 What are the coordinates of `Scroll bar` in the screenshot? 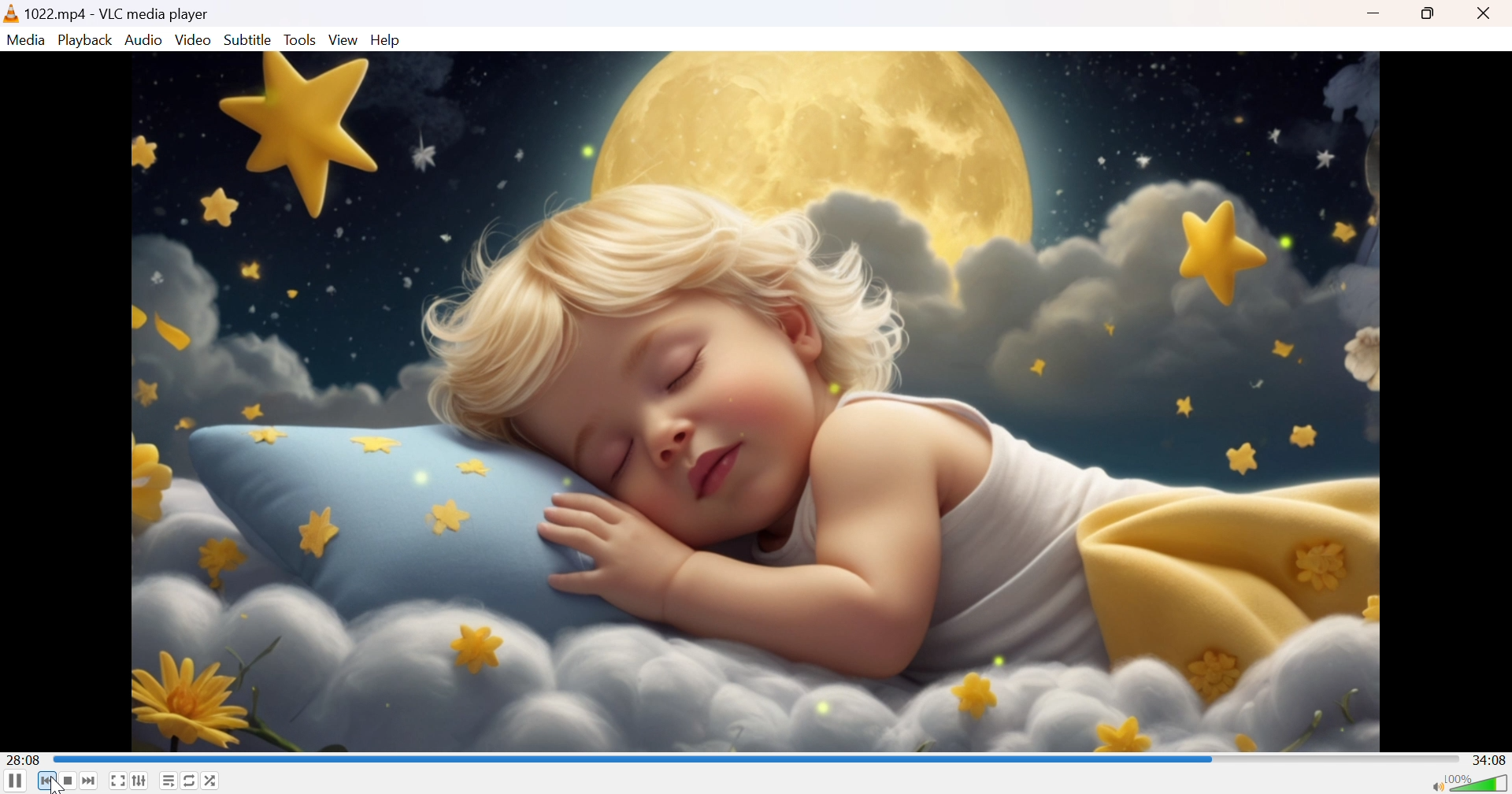 It's located at (631, 757).